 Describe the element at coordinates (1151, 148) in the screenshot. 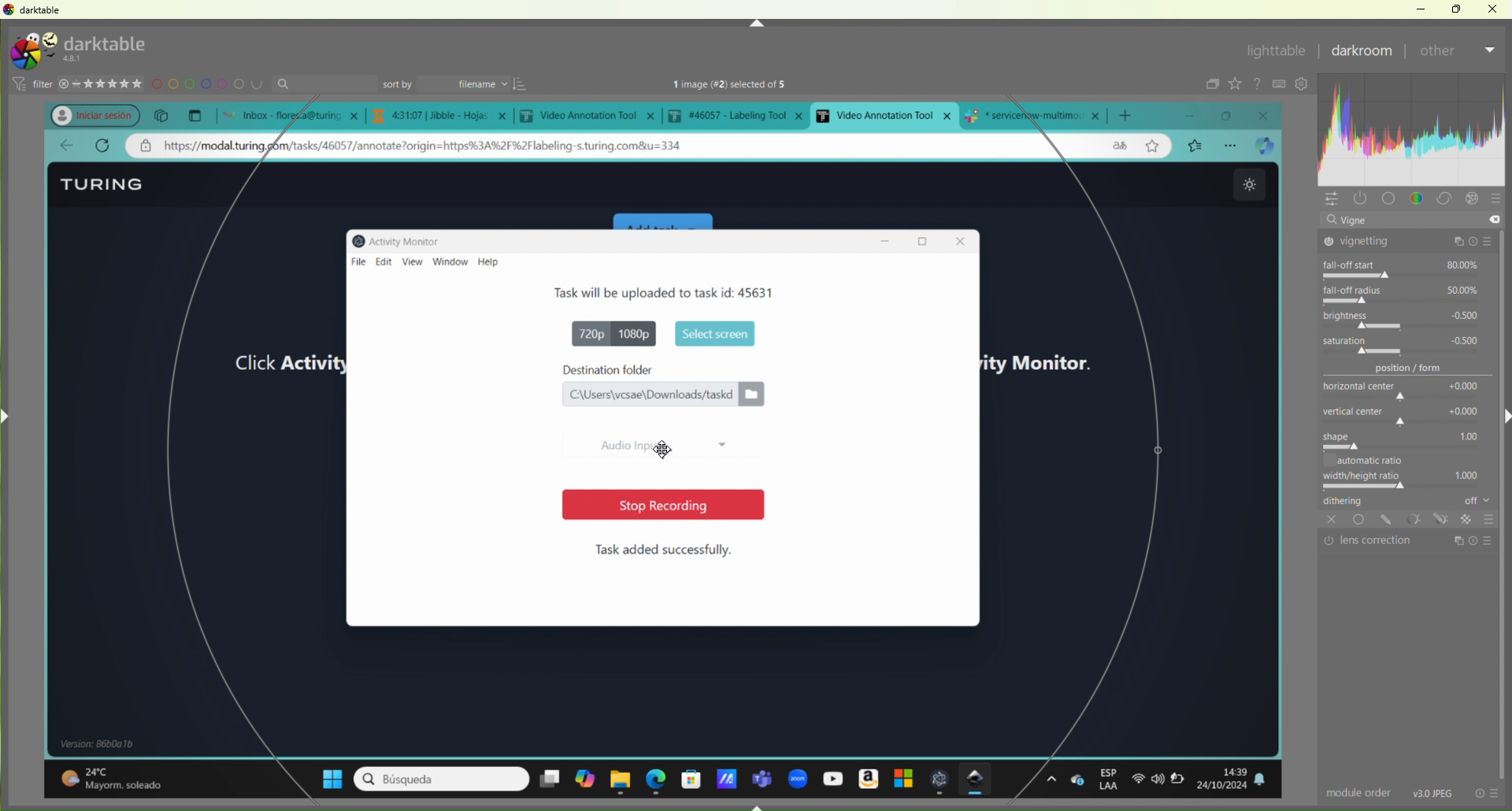

I see `star page` at that location.